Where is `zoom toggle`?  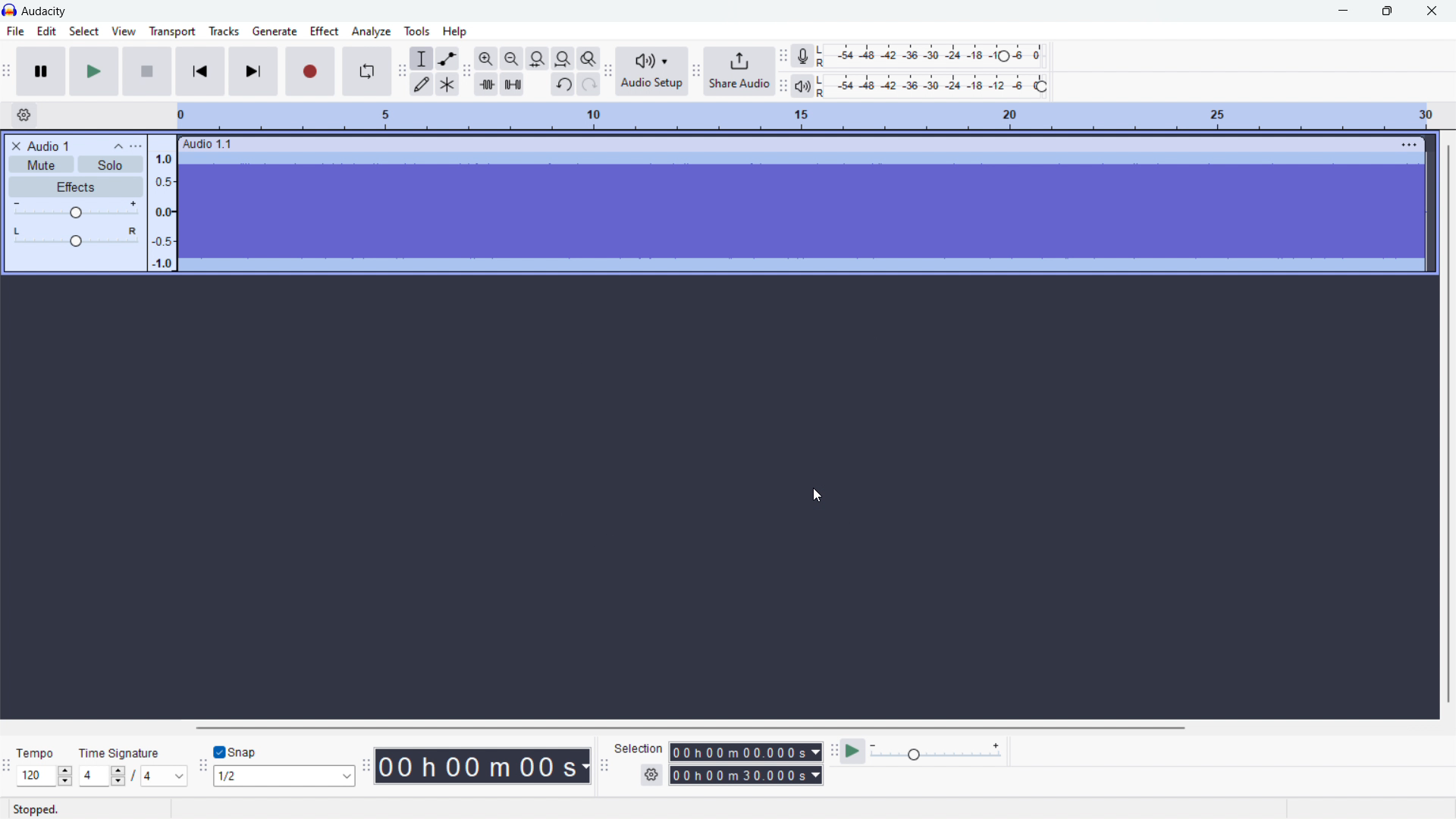
zoom toggle is located at coordinates (588, 58).